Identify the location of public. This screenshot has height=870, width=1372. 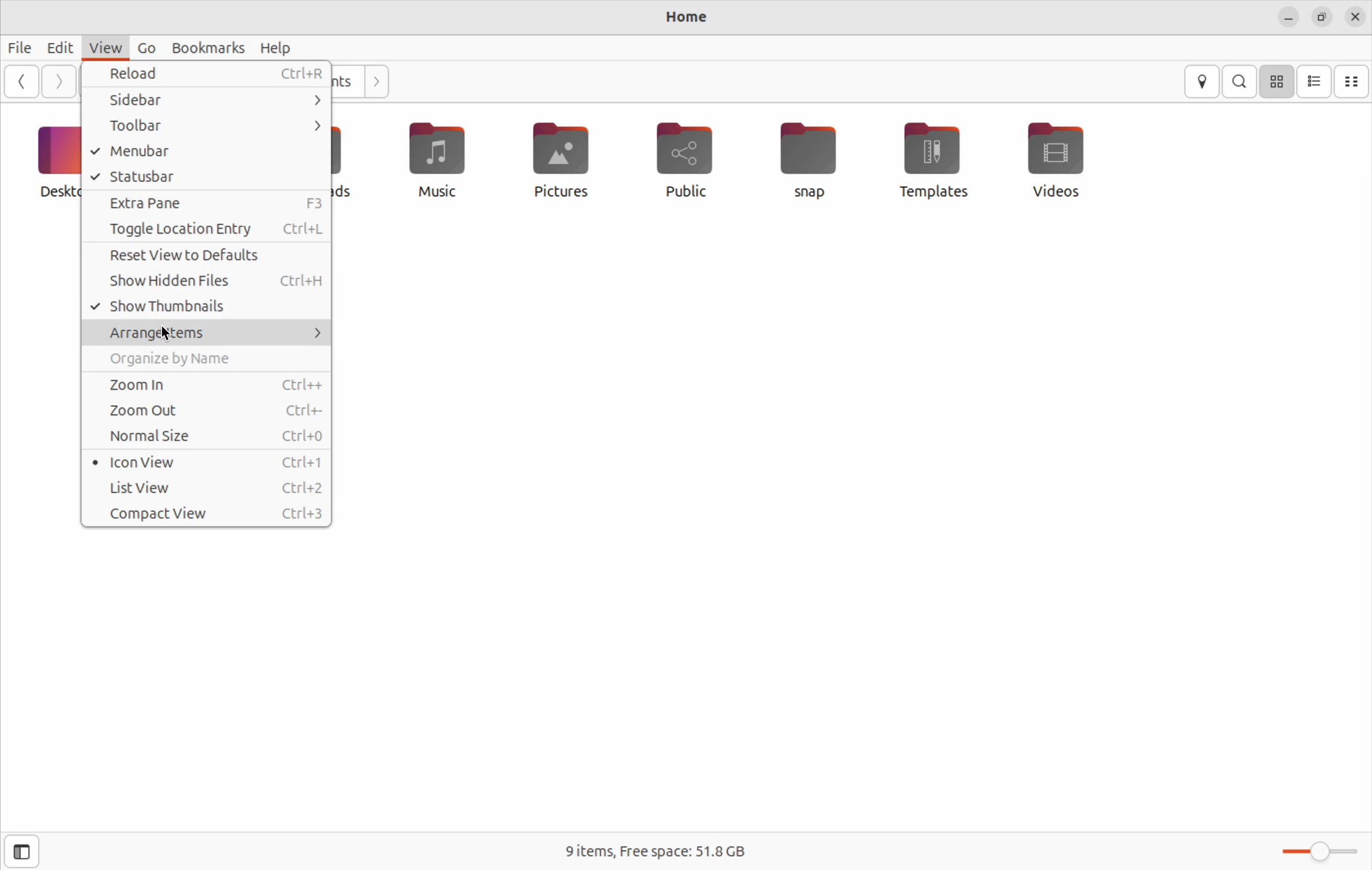
(695, 158).